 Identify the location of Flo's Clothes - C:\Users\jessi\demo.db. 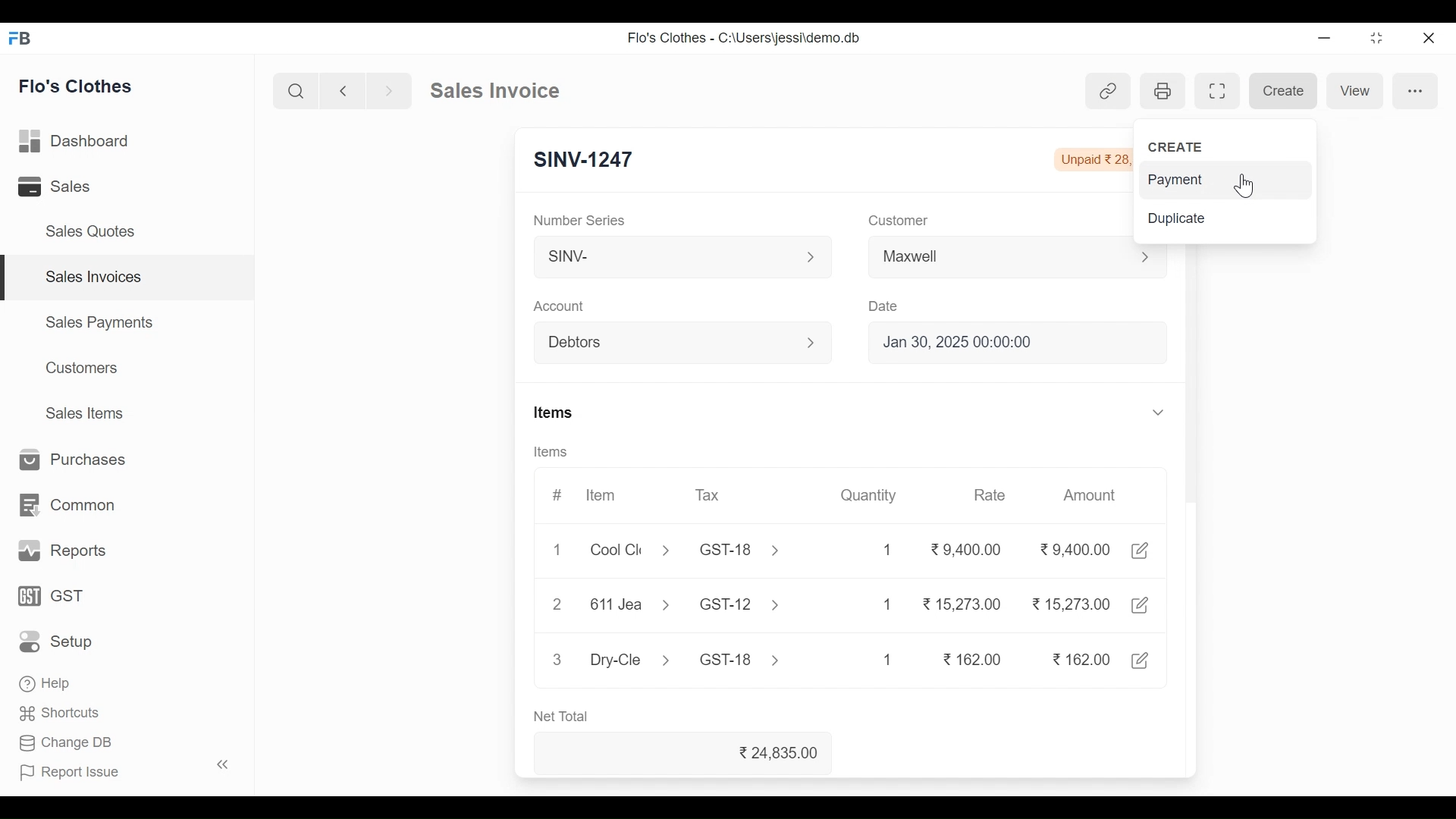
(746, 37).